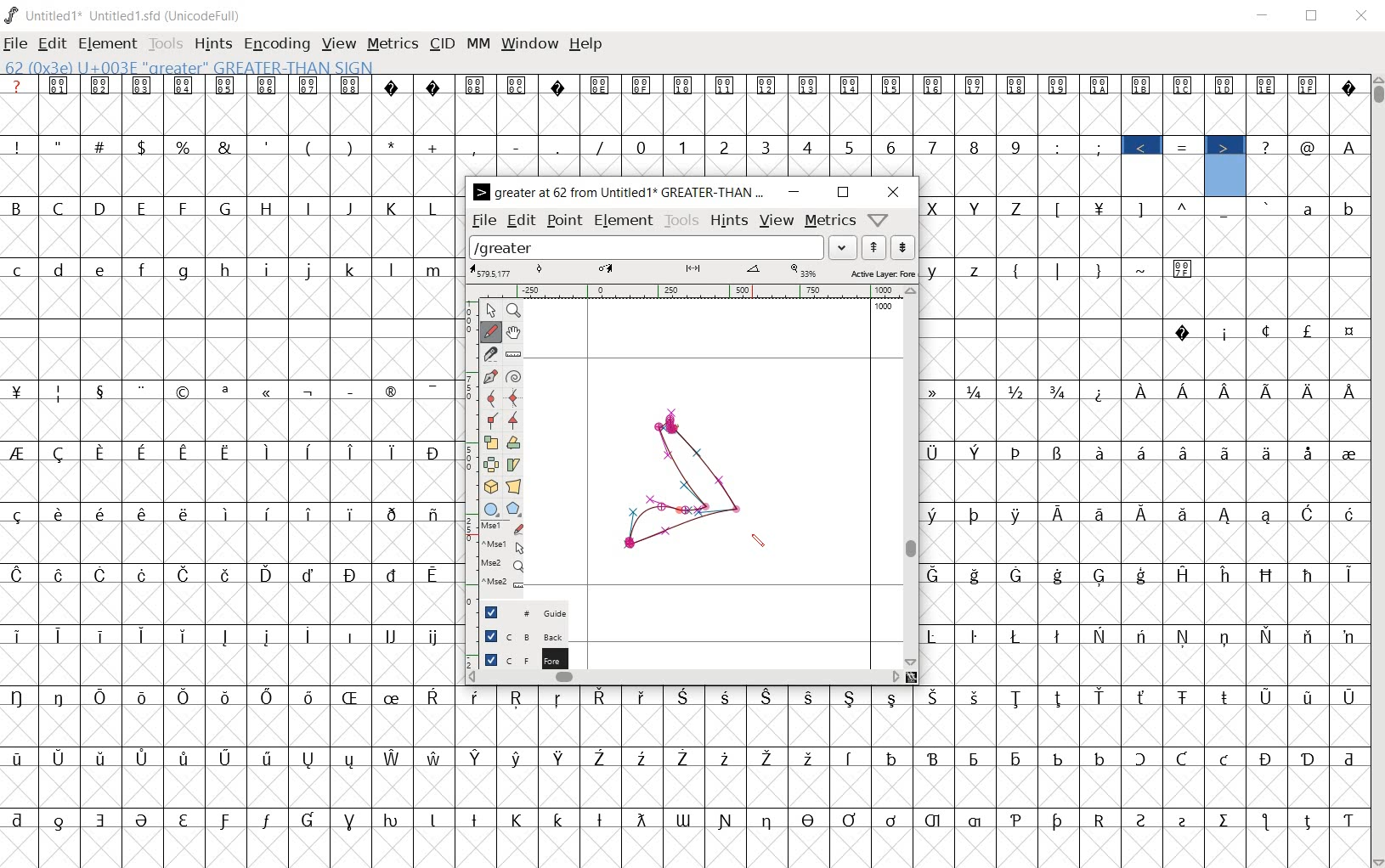 This screenshot has height=868, width=1385. Describe the element at coordinates (489, 375) in the screenshot. I see `add a point, then drag out its control points` at that location.